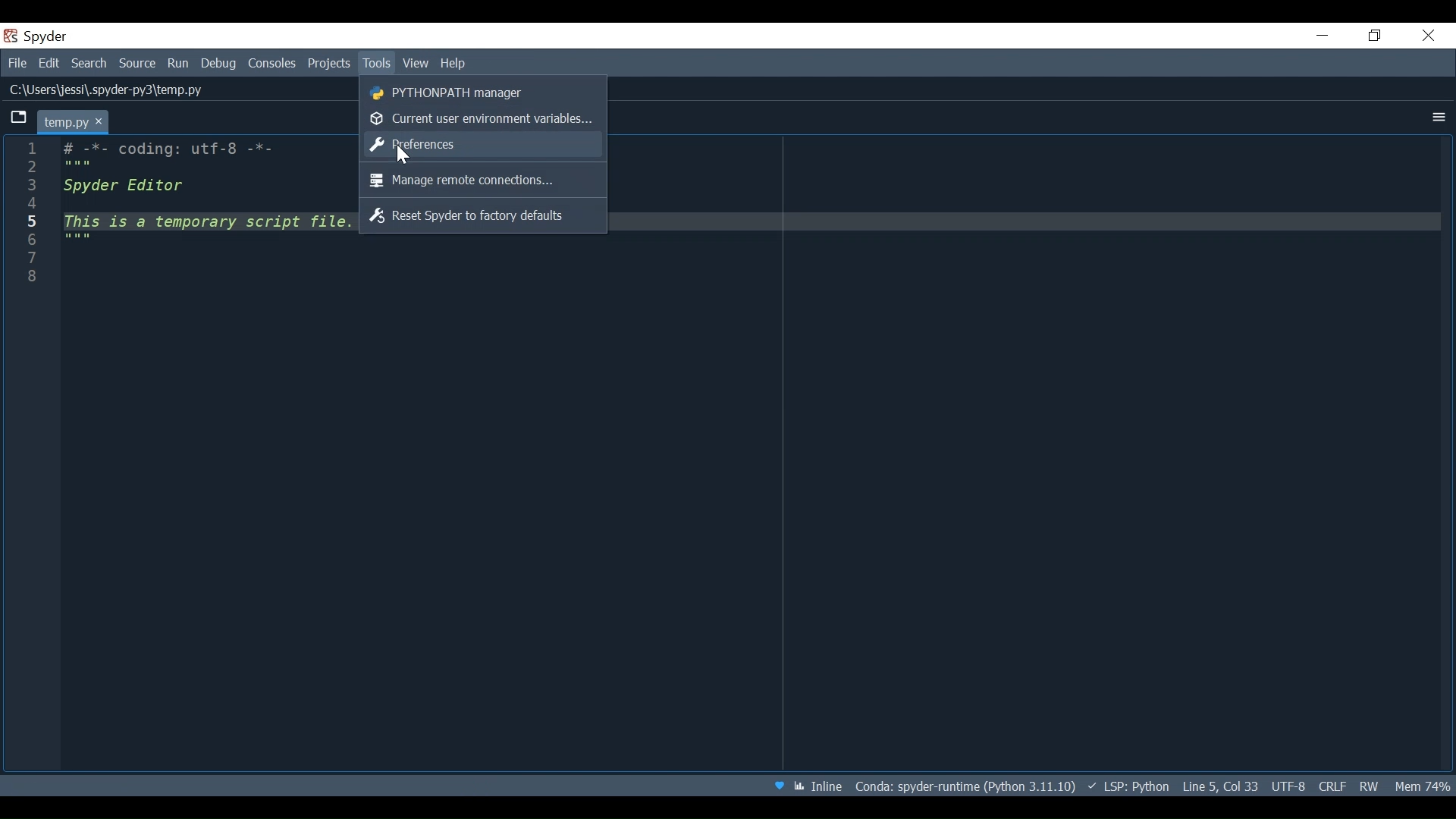 The width and height of the screenshot is (1456, 819). What do you see at coordinates (1372, 786) in the screenshot?
I see `File Permission` at bounding box center [1372, 786].